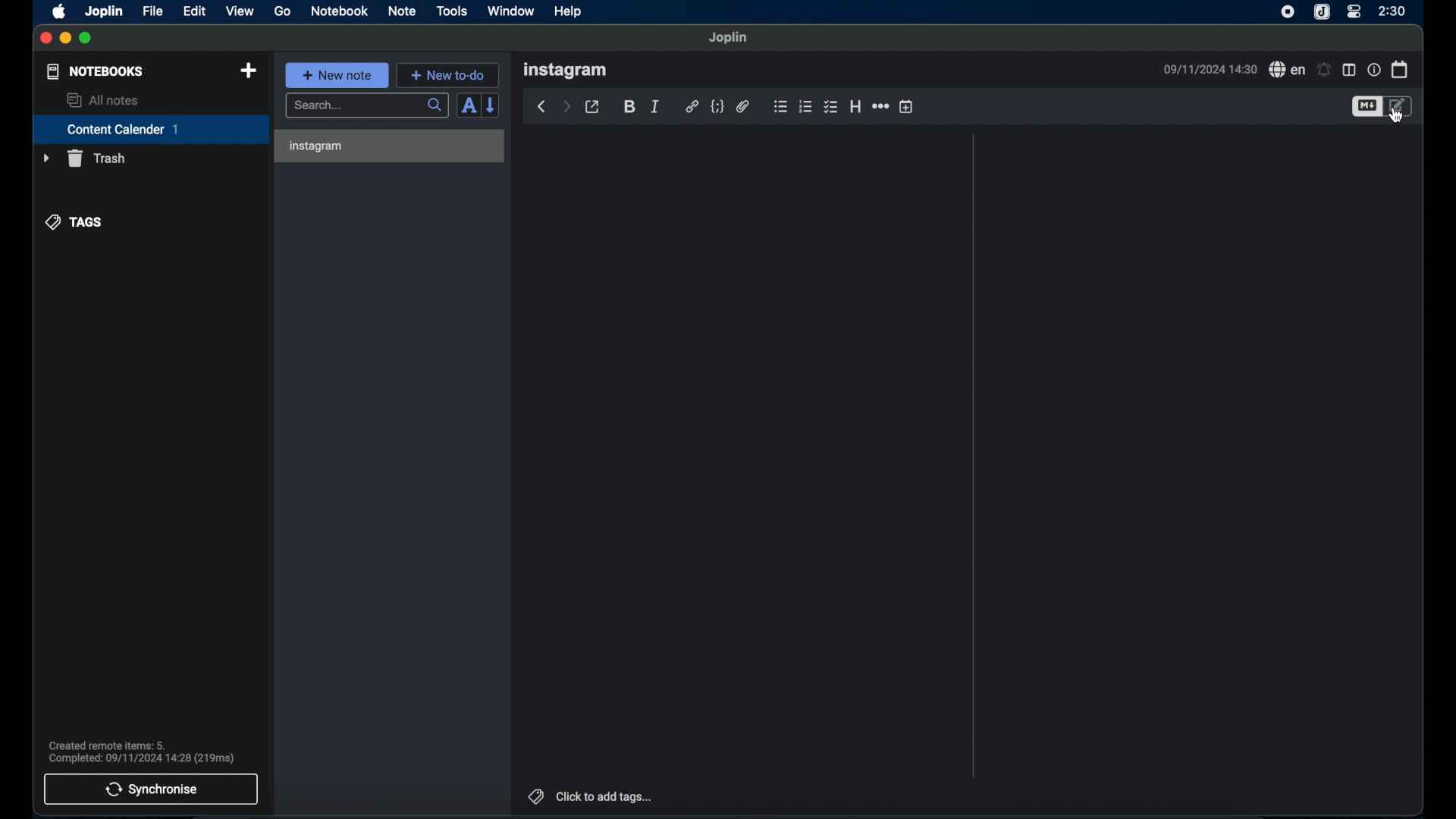 The height and width of the screenshot is (819, 1456). Describe the element at coordinates (1288, 13) in the screenshot. I see `screen recorder icon` at that location.